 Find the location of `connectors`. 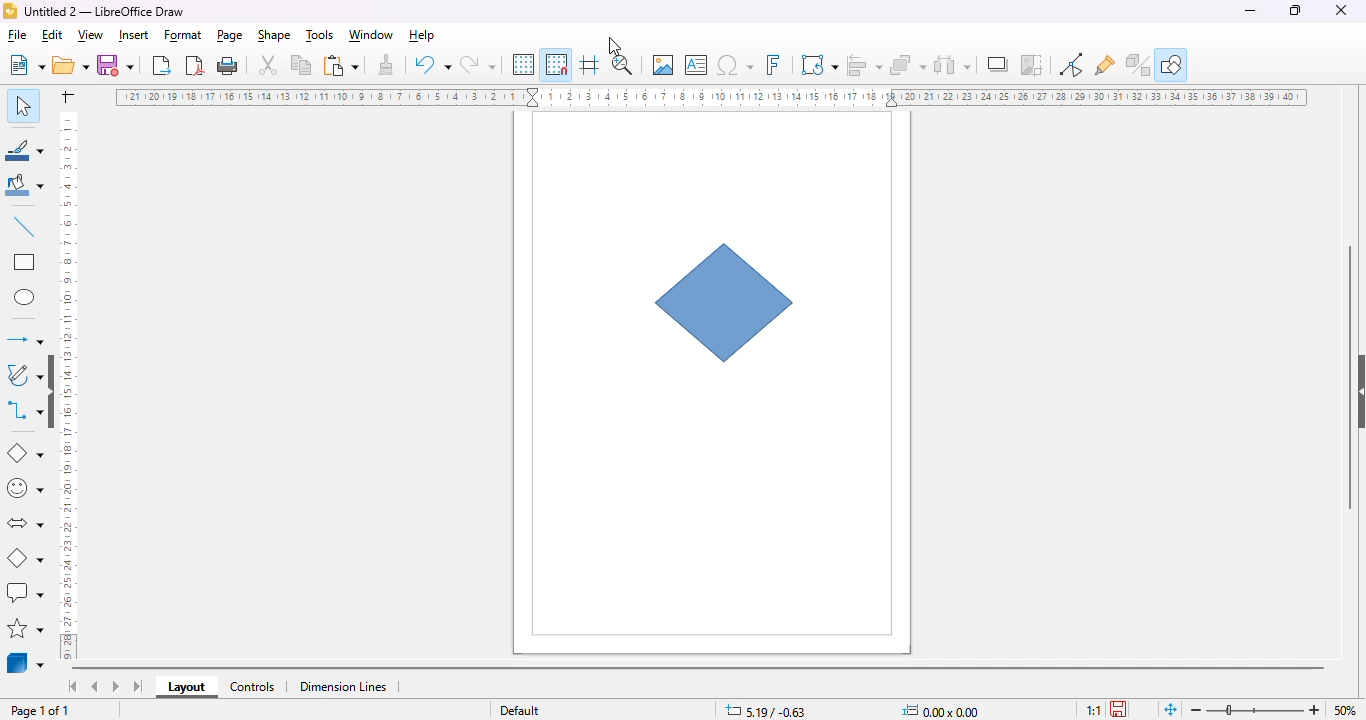

connectors is located at coordinates (25, 411).